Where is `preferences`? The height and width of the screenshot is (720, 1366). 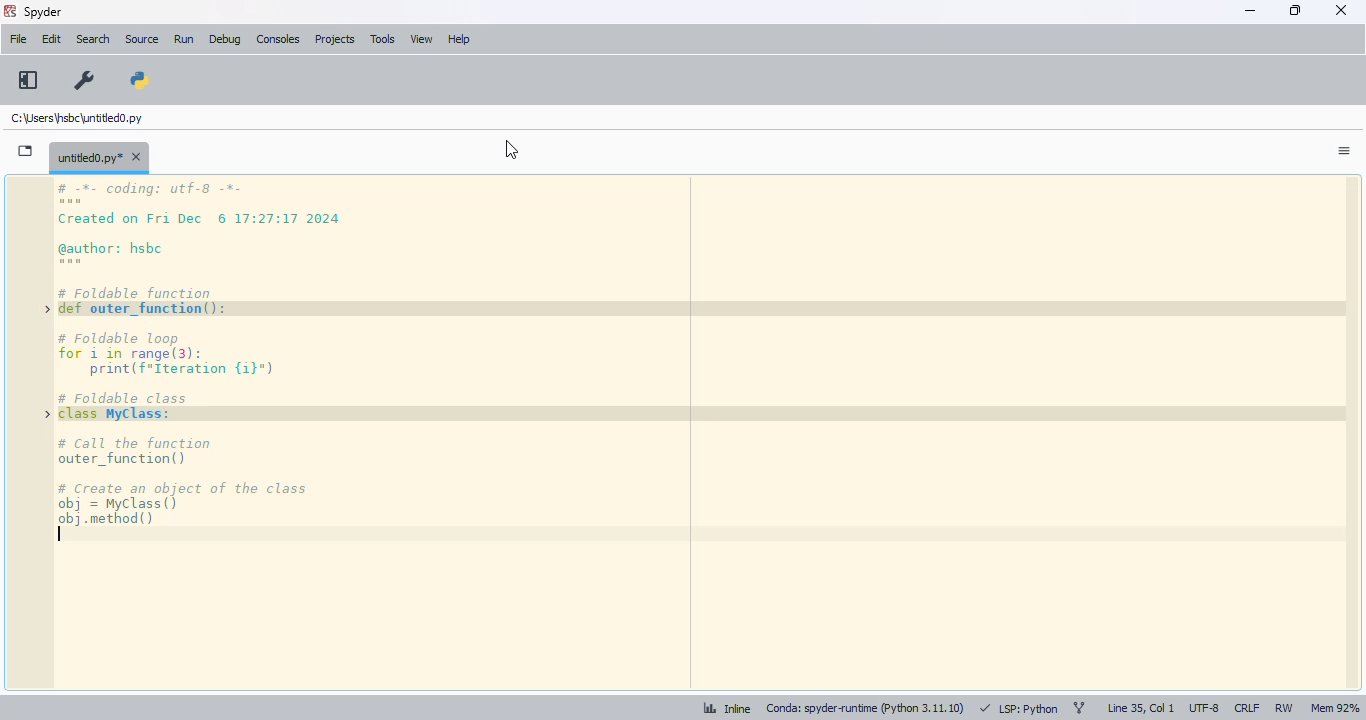
preferences is located at coordinates (85, 81).